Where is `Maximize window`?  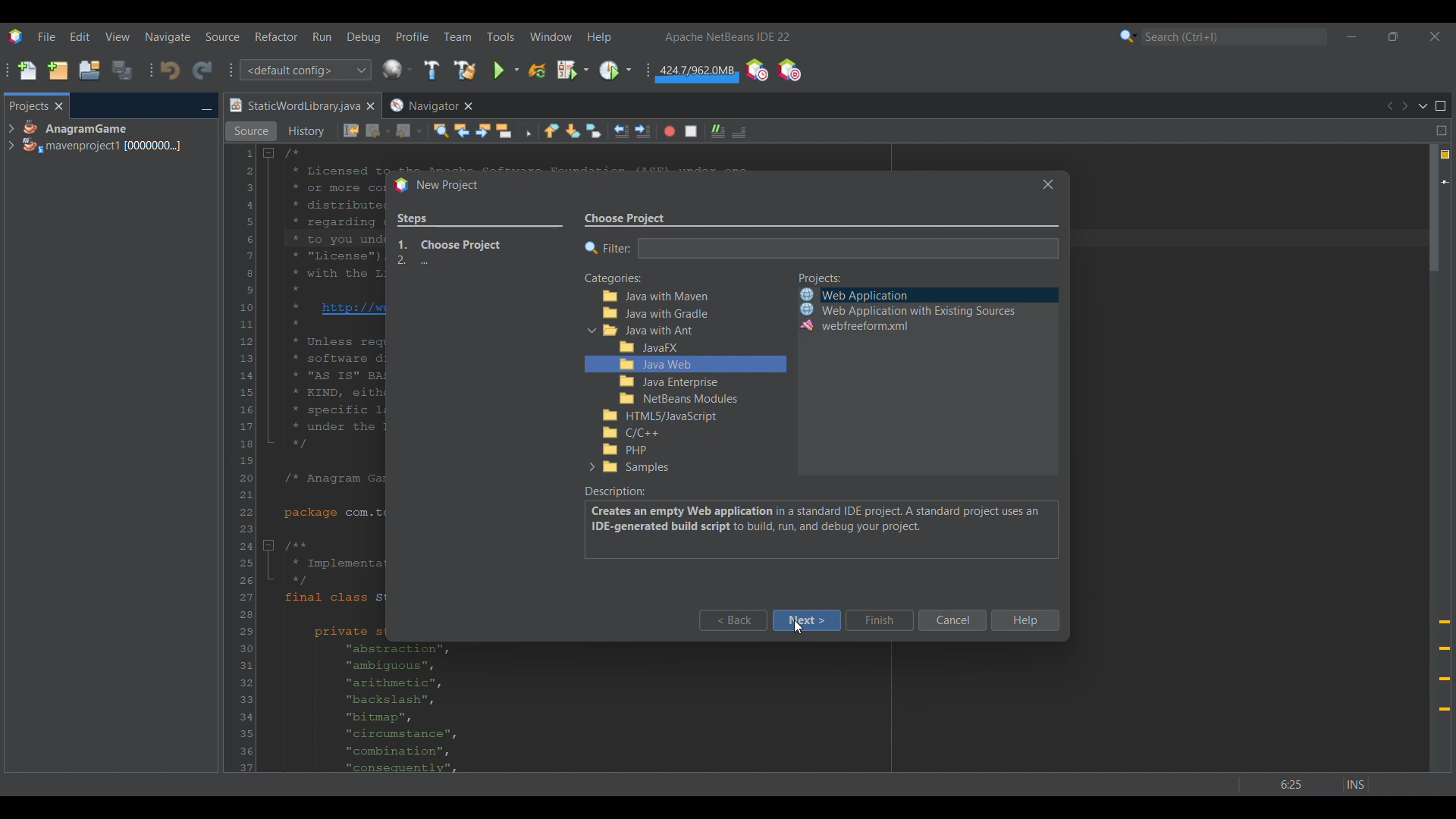 Maximize window is located at coordinates (1441, 106).